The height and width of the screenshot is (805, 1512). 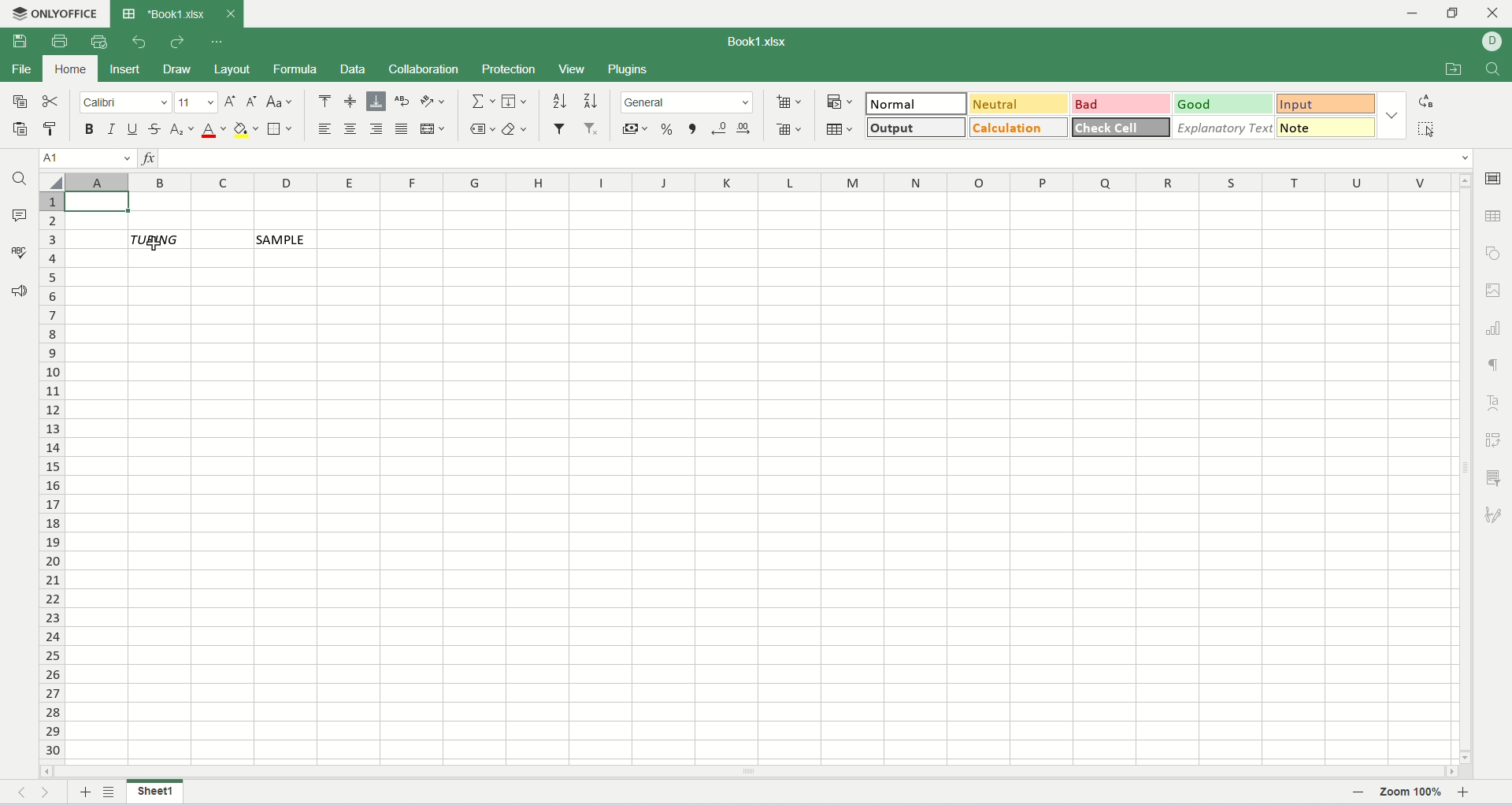 What do you see at coordinates (791, 130) in the screenshot?
I see `remove cell` at bounding box center [791, 130].